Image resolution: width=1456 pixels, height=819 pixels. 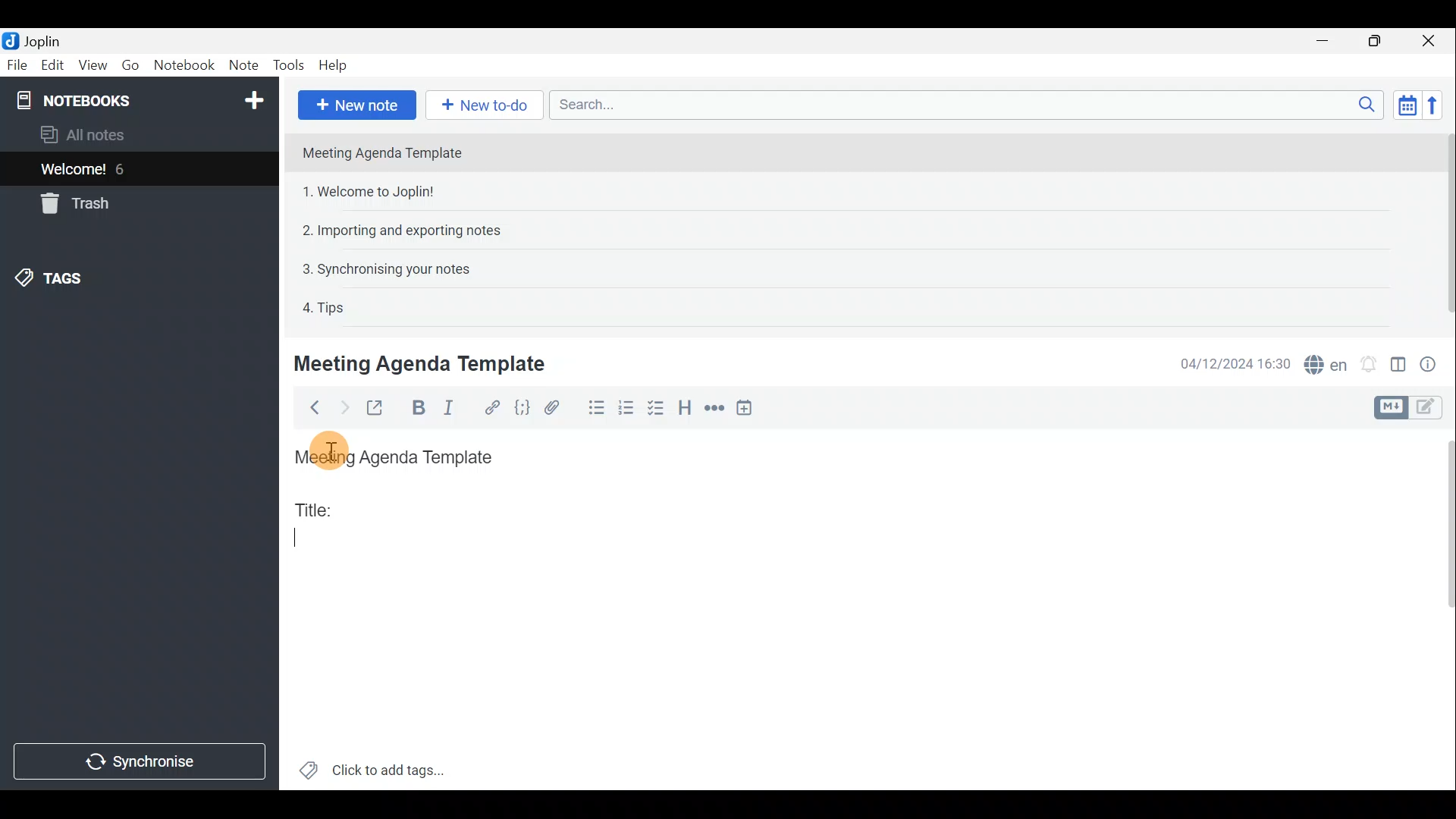 I want to click on Meeting Agenda Template, so click(x=384, y=152).